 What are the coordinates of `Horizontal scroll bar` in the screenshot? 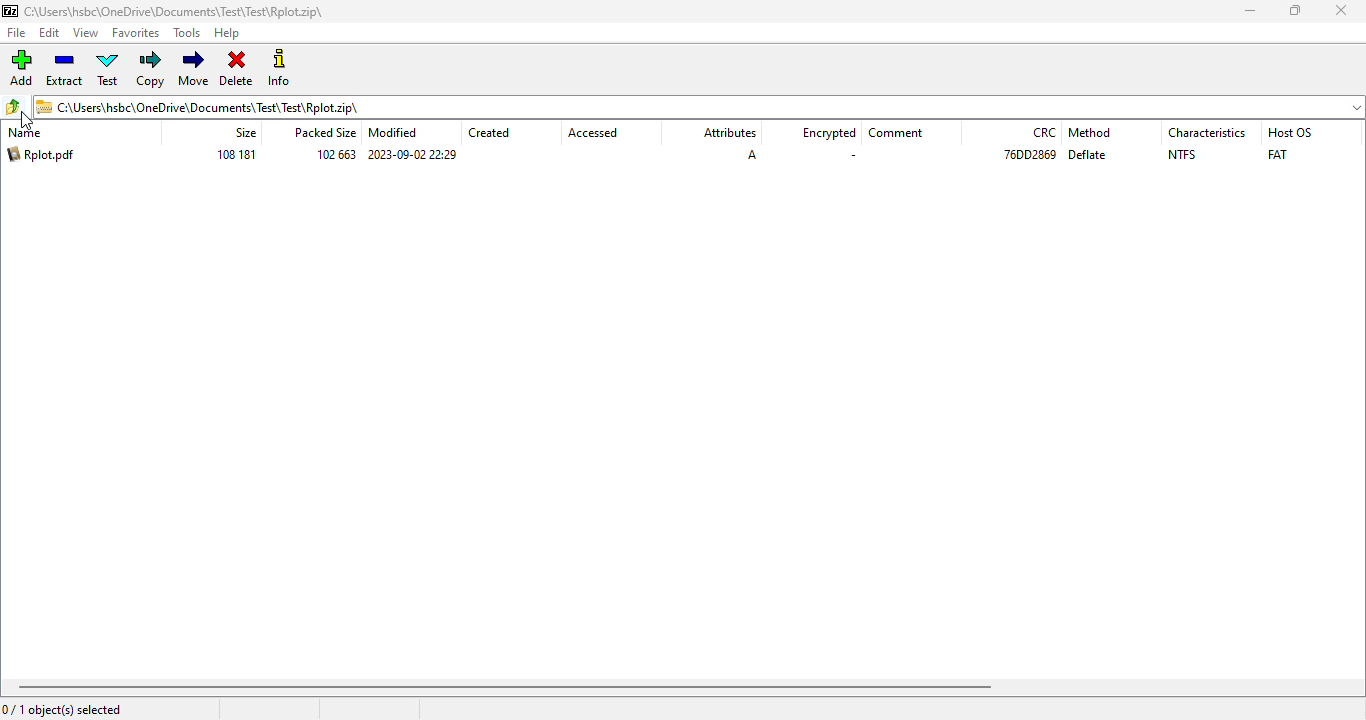 It's located at (505, 686).